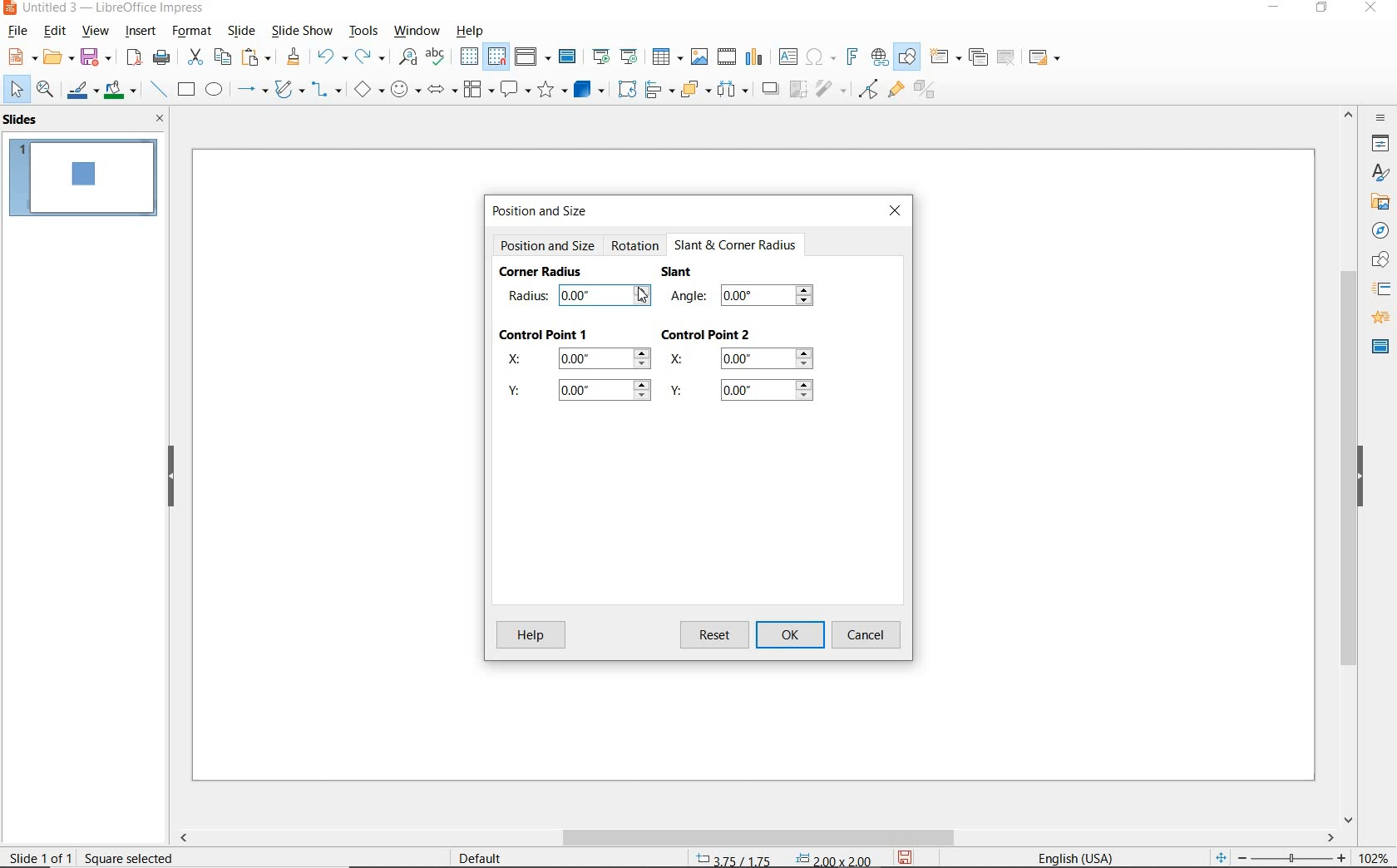 The image size is (1397, 868). What do you see at coordinates (533, 57) in the screenshot?
I see `display view` at bounding box center [533, 57].